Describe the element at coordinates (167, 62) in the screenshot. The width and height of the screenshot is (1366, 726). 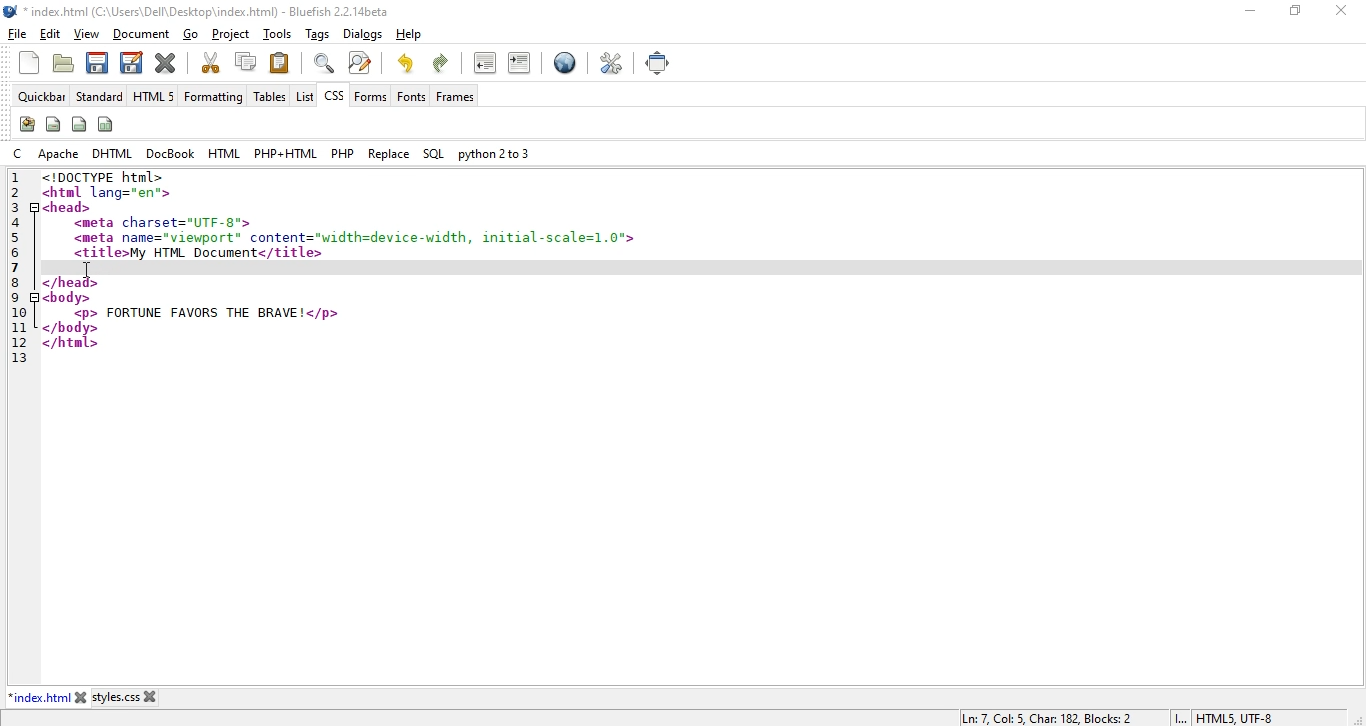
I see `close current file` at that location.